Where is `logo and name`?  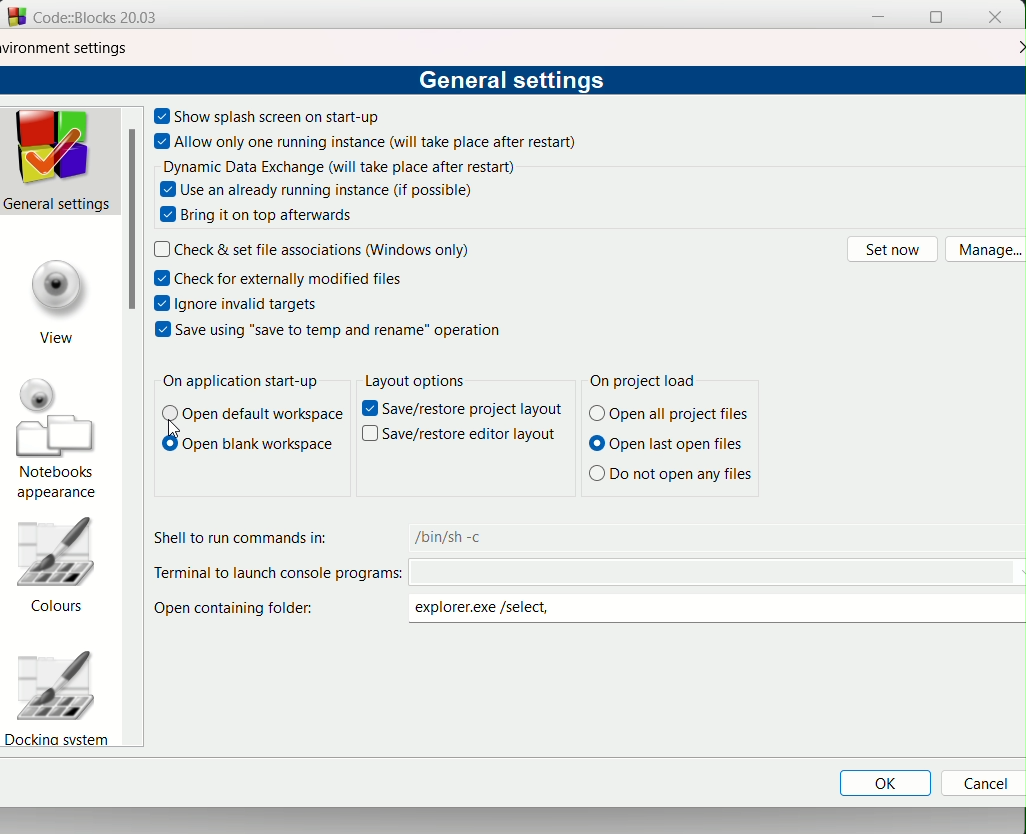 logo and name is located at coordinates (17, 18).